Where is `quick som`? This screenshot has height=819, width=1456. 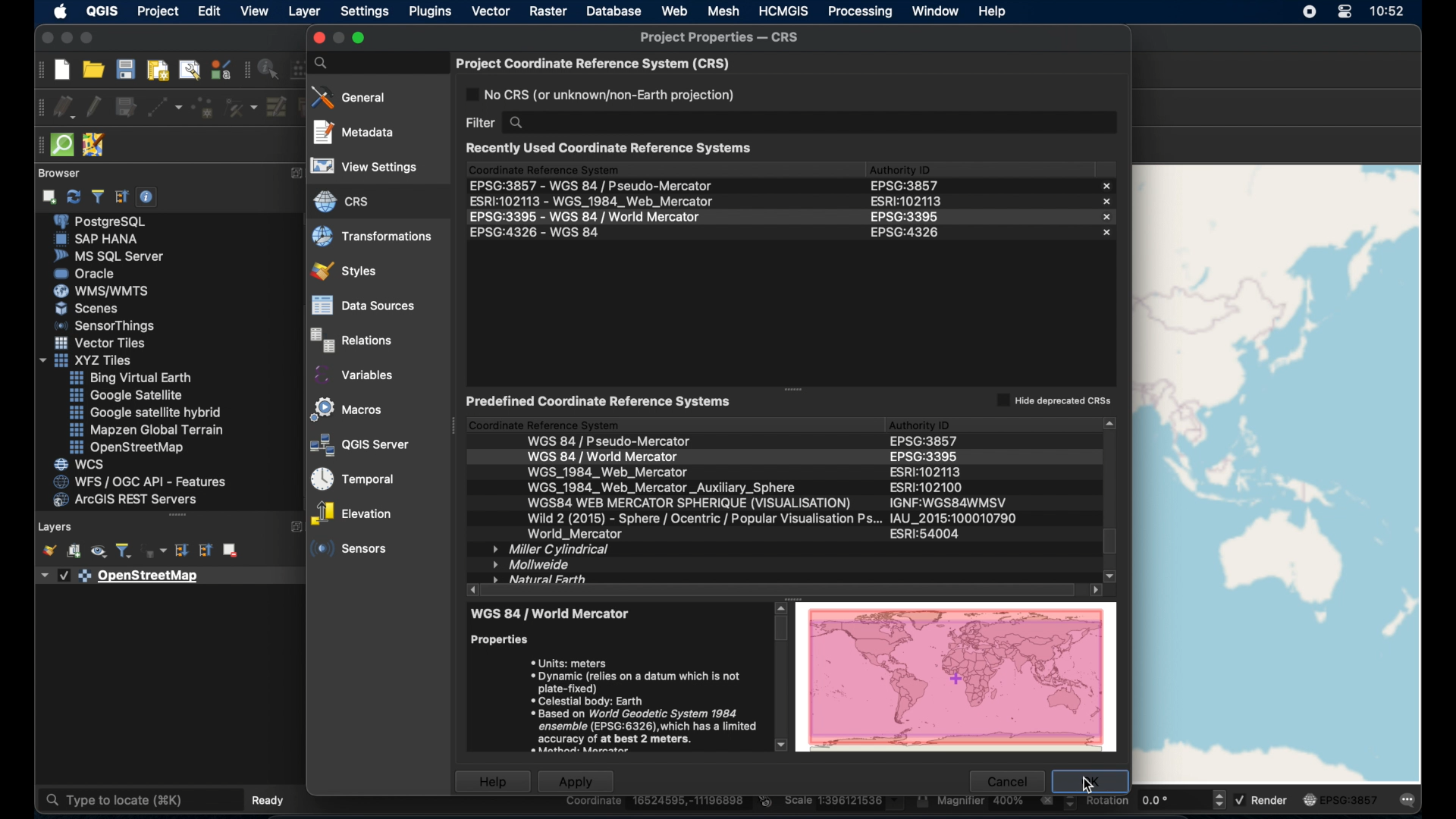 quick som is located at coordinates (63, 146).